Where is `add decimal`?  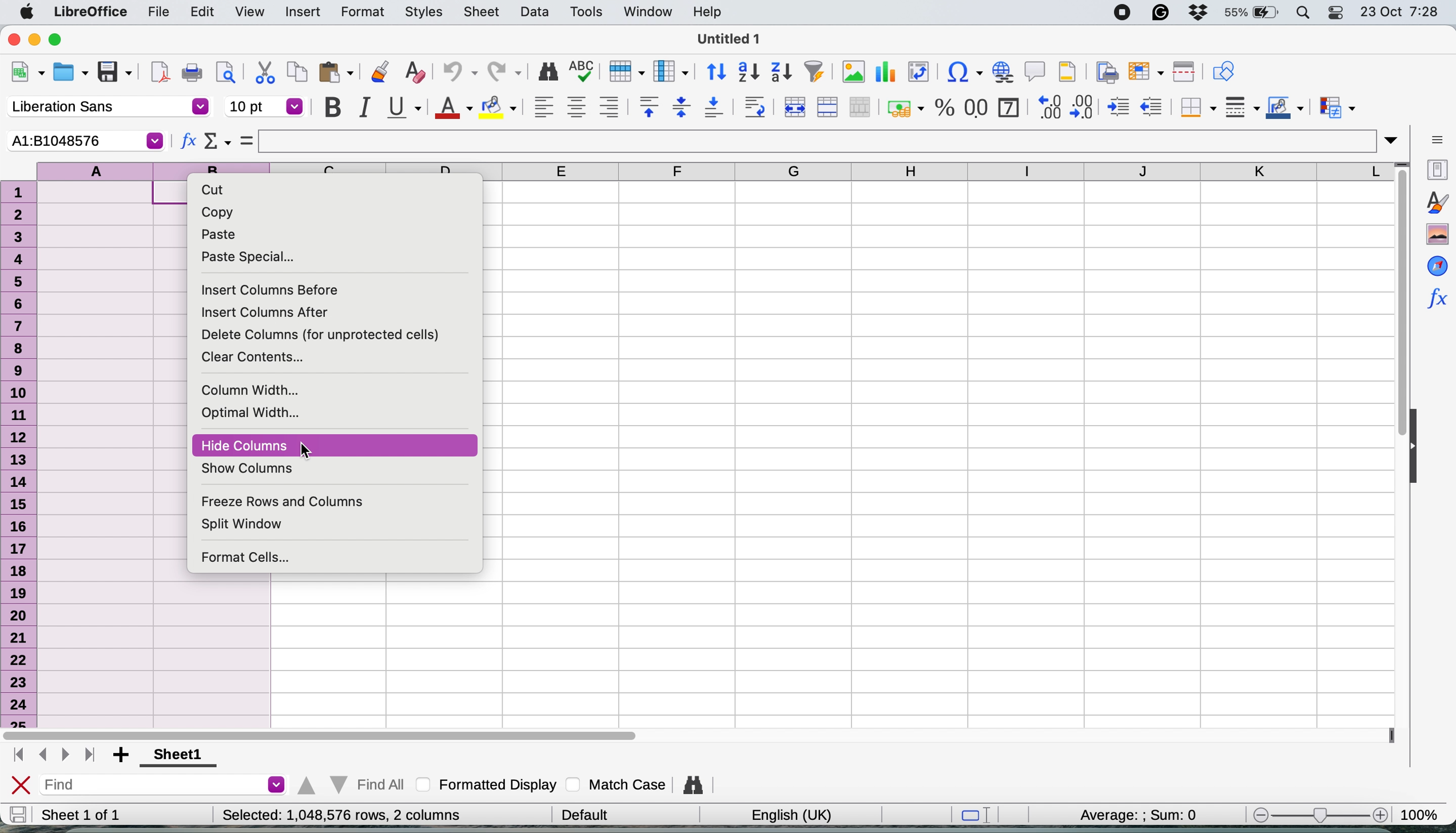
add decimal is located at coordinates (1049, 106).